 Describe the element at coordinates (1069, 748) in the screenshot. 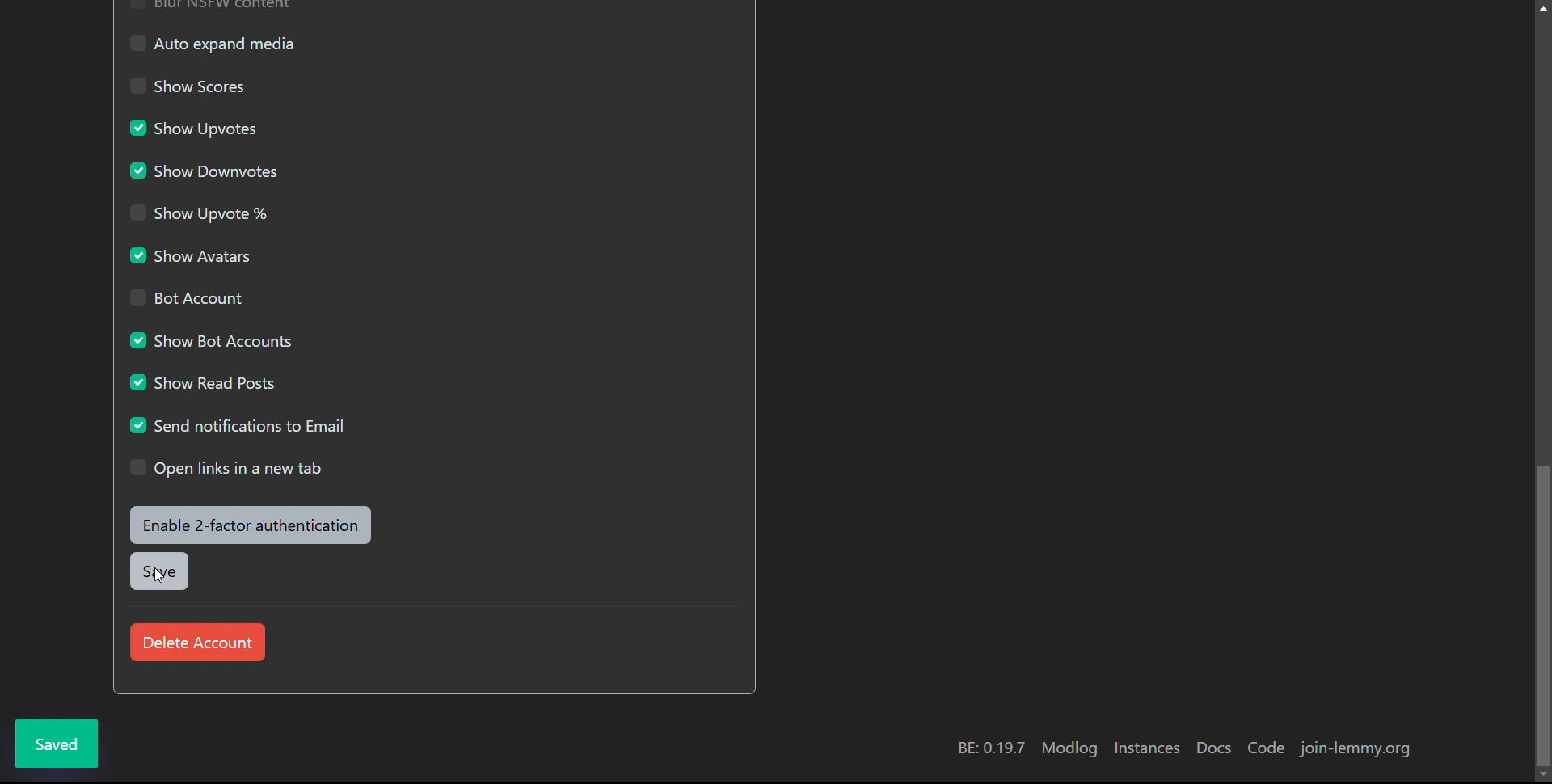

I see `modlog` at that location.